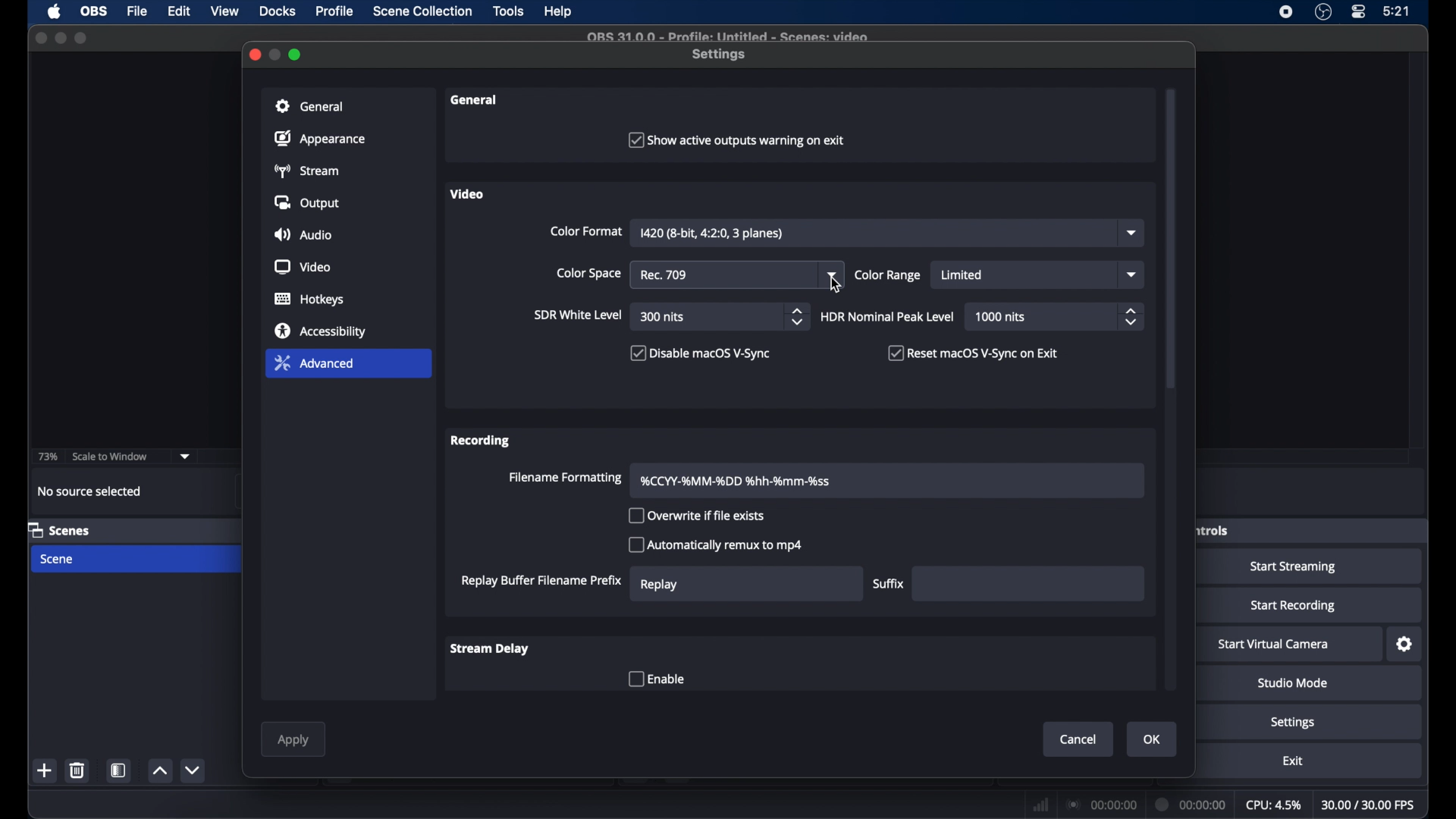 This screenshot has width=1456, height=819. What do you see at coordinates (302, 267) in the screenshot?
I see `video` at bounding box center [302, 267].